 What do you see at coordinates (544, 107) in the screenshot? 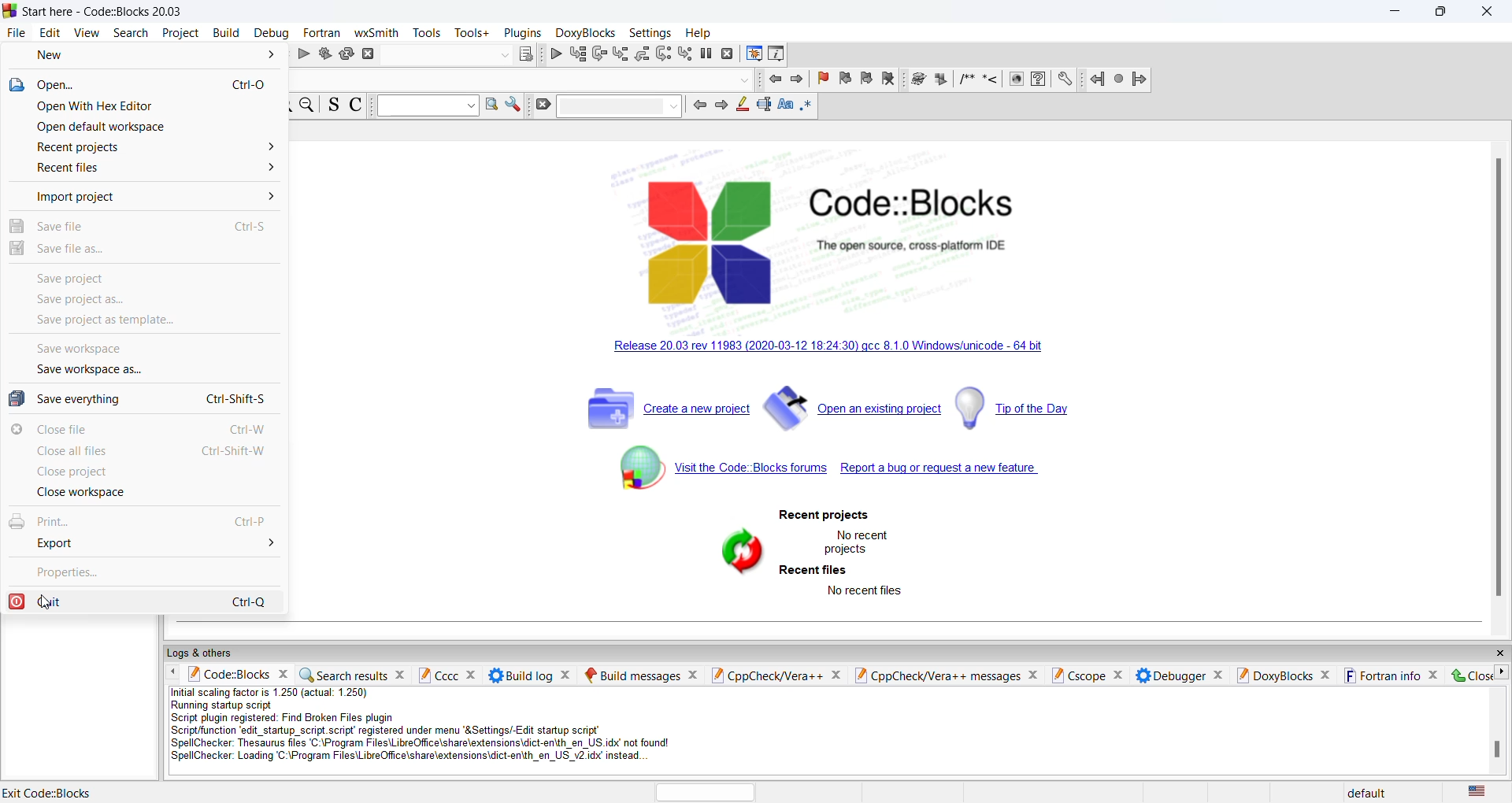
I see `clear` at bounding box center [544, 107].